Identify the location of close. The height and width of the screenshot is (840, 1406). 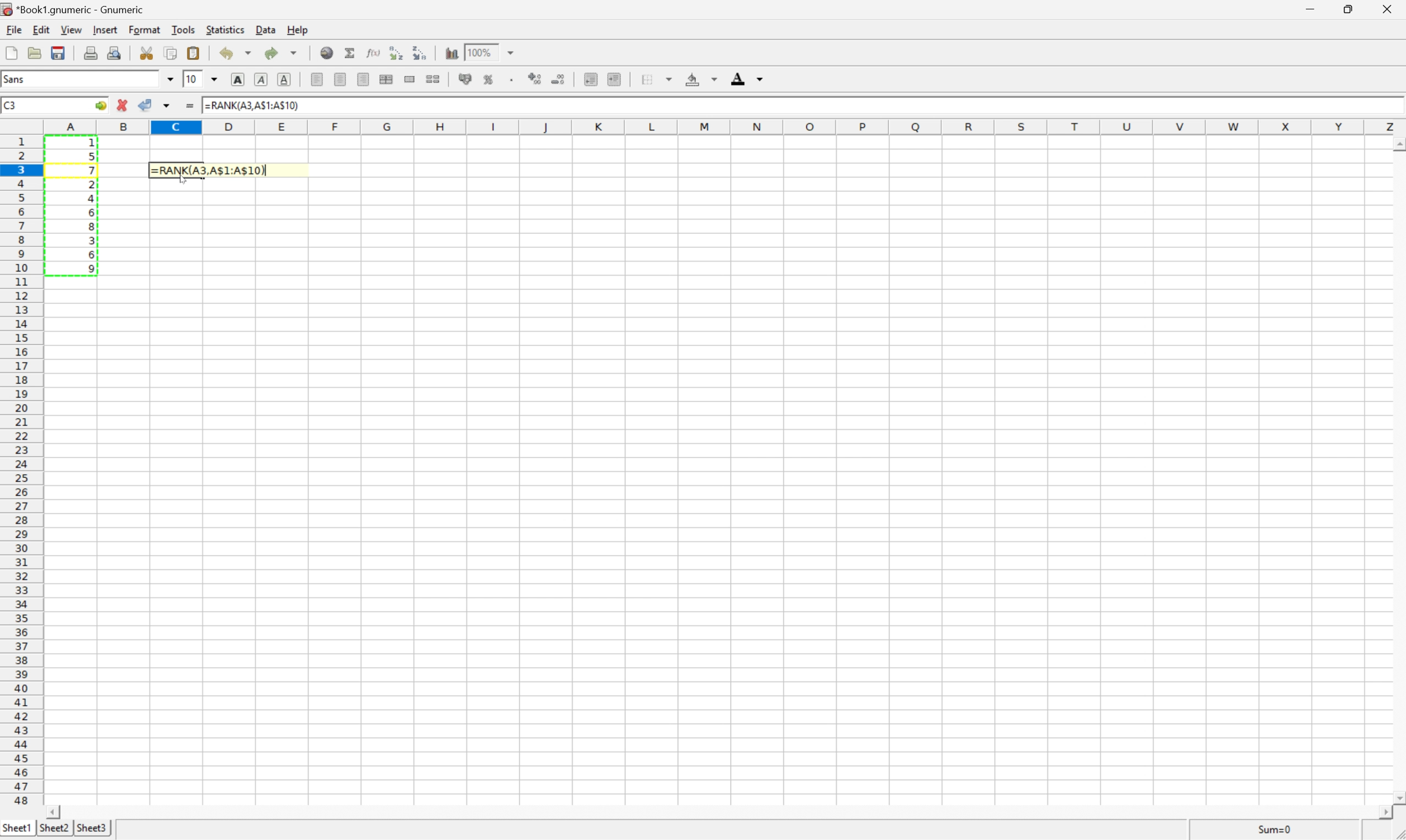
(1388, 8).